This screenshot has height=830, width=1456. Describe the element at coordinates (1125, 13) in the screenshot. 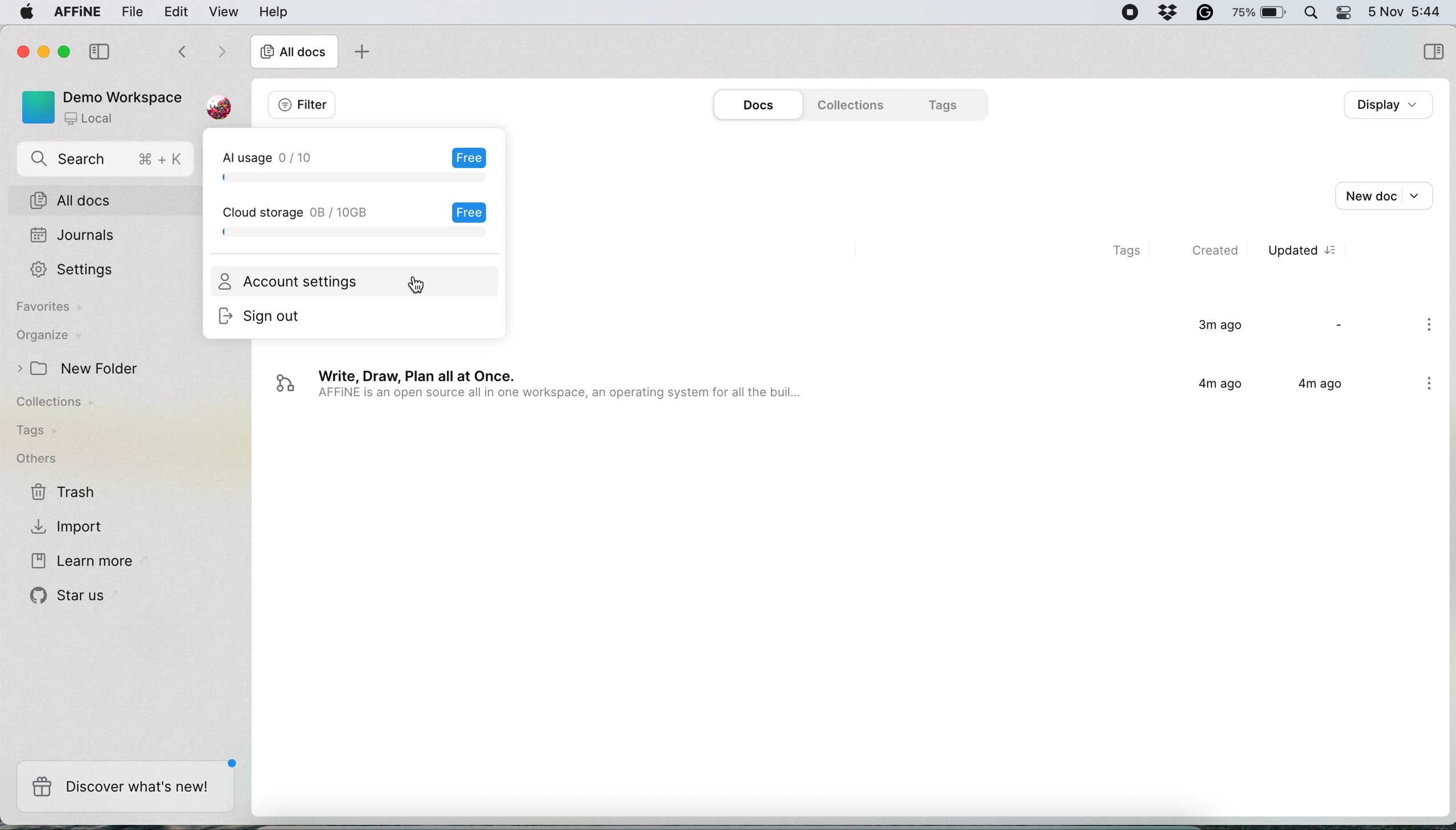

I see `screen recorder` at that location.